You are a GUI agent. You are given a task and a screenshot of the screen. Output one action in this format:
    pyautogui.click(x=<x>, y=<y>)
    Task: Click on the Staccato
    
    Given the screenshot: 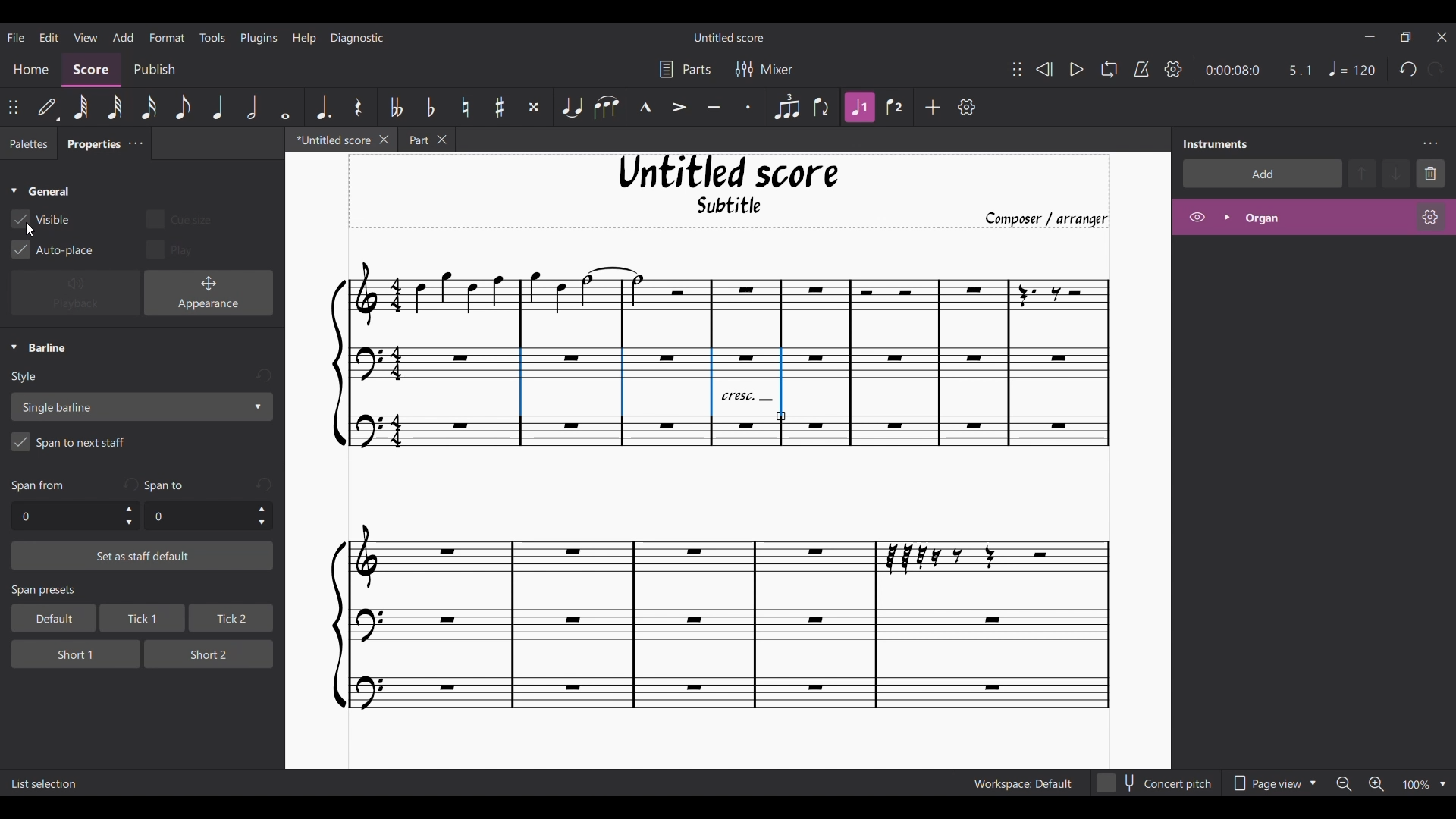 What is the action you would take?
    pyautogui.click(x=749, y=107)
    